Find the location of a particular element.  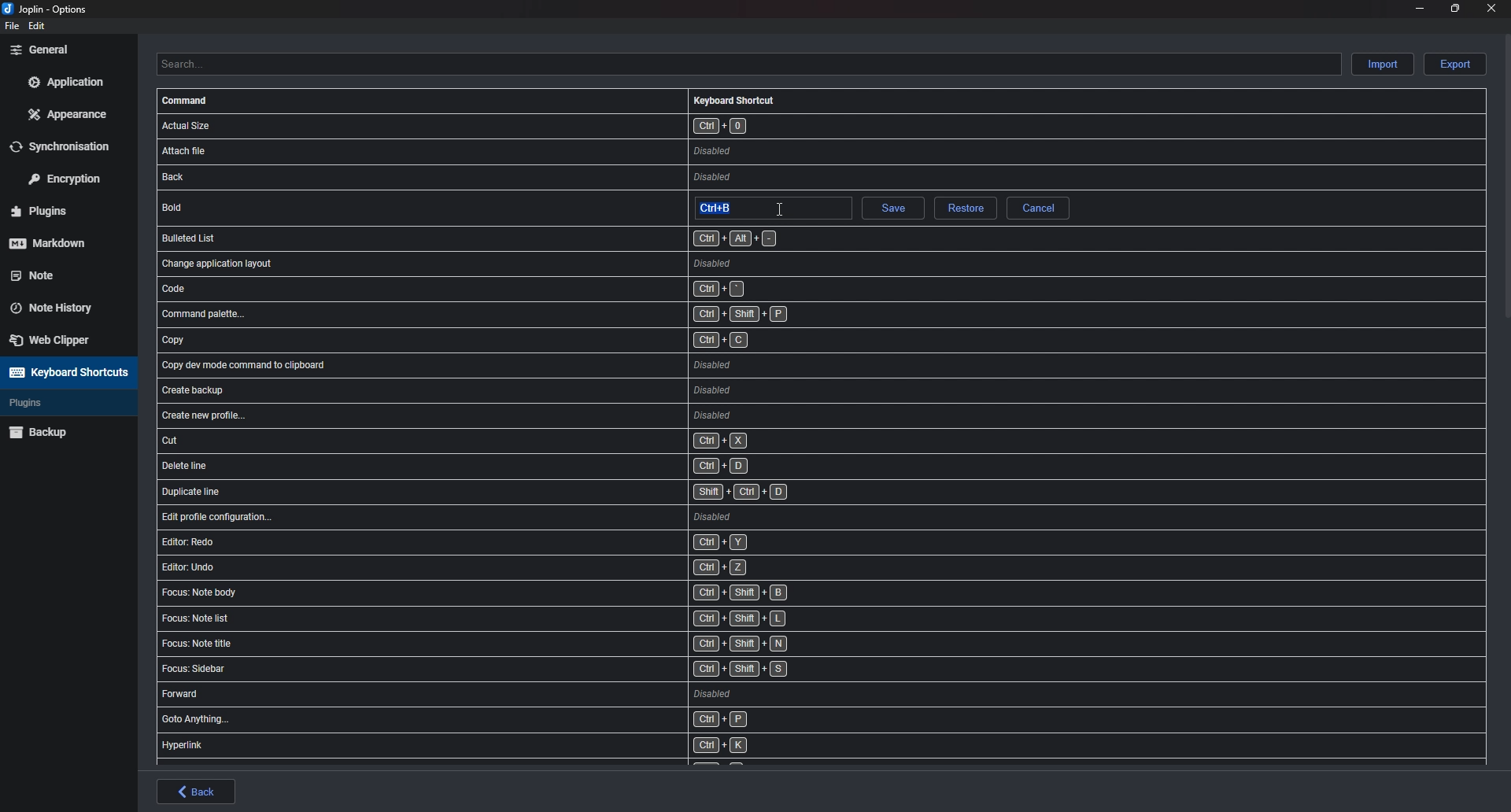

shortcut is located at coordinates (537, 466).